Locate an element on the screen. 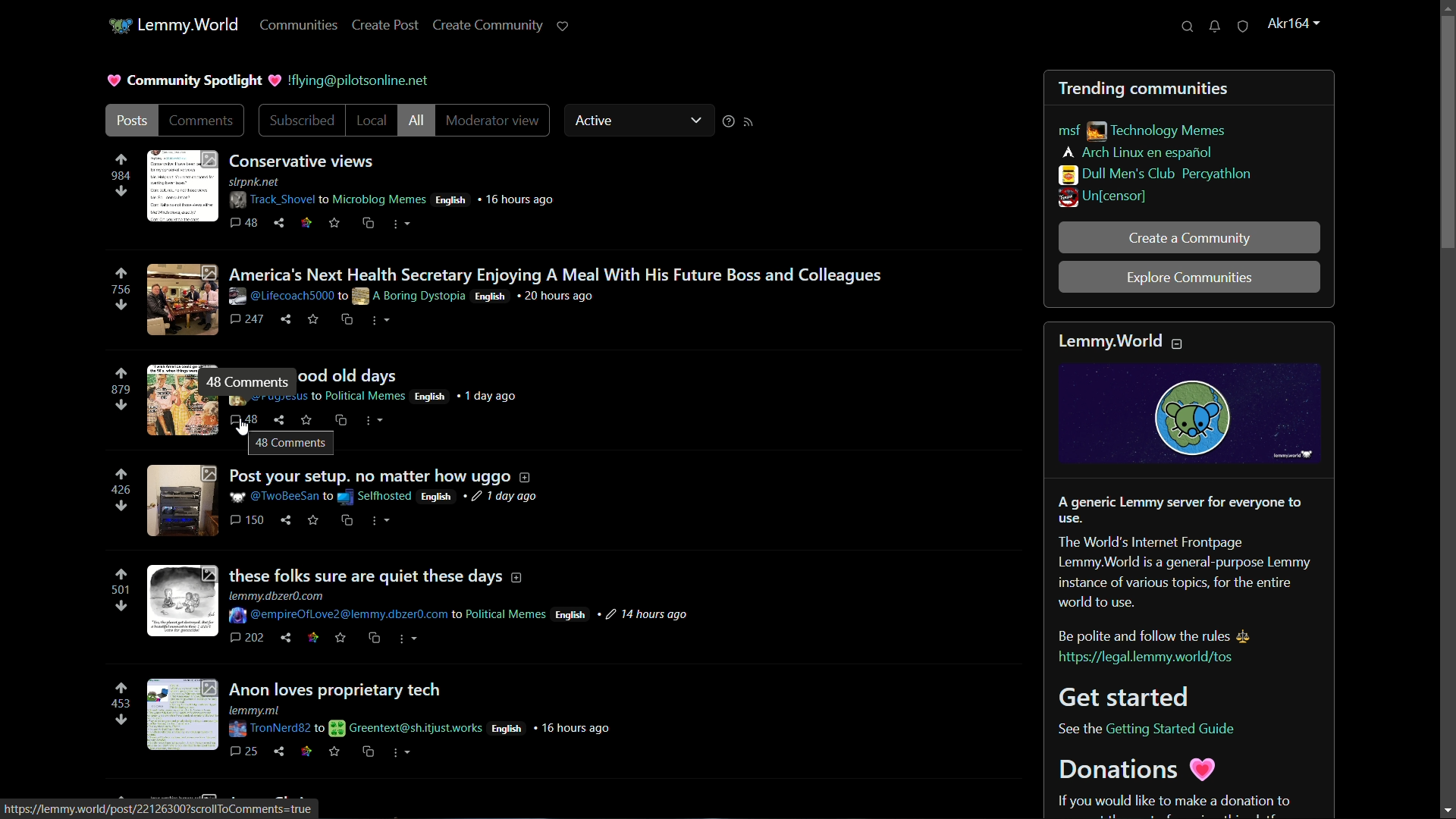 The width and height of the screenshot is (1456, 819). downvote is located at coordinates (121, 408).